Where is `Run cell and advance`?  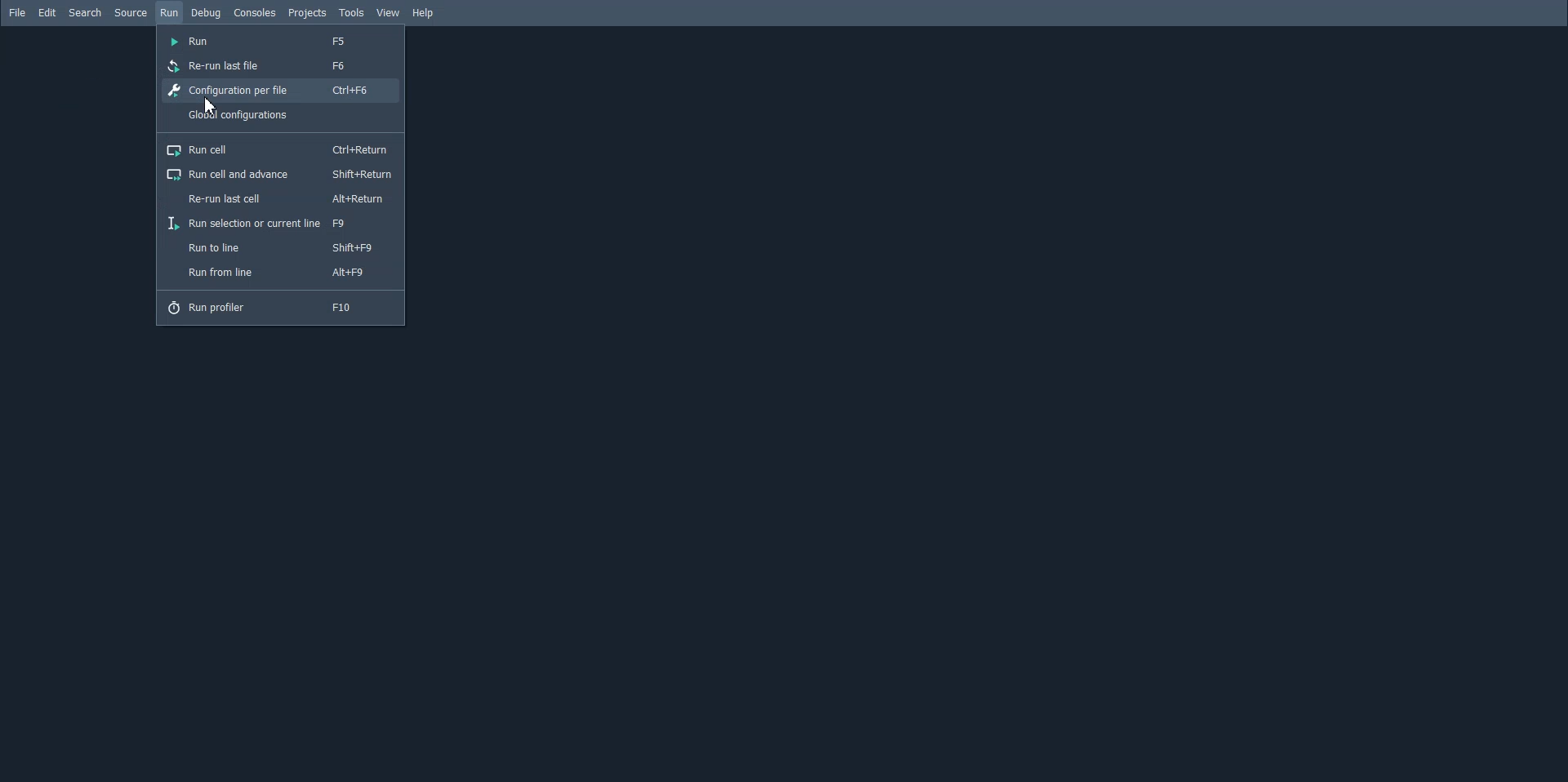
Run cell and advance is located at coordinates (279, 174).